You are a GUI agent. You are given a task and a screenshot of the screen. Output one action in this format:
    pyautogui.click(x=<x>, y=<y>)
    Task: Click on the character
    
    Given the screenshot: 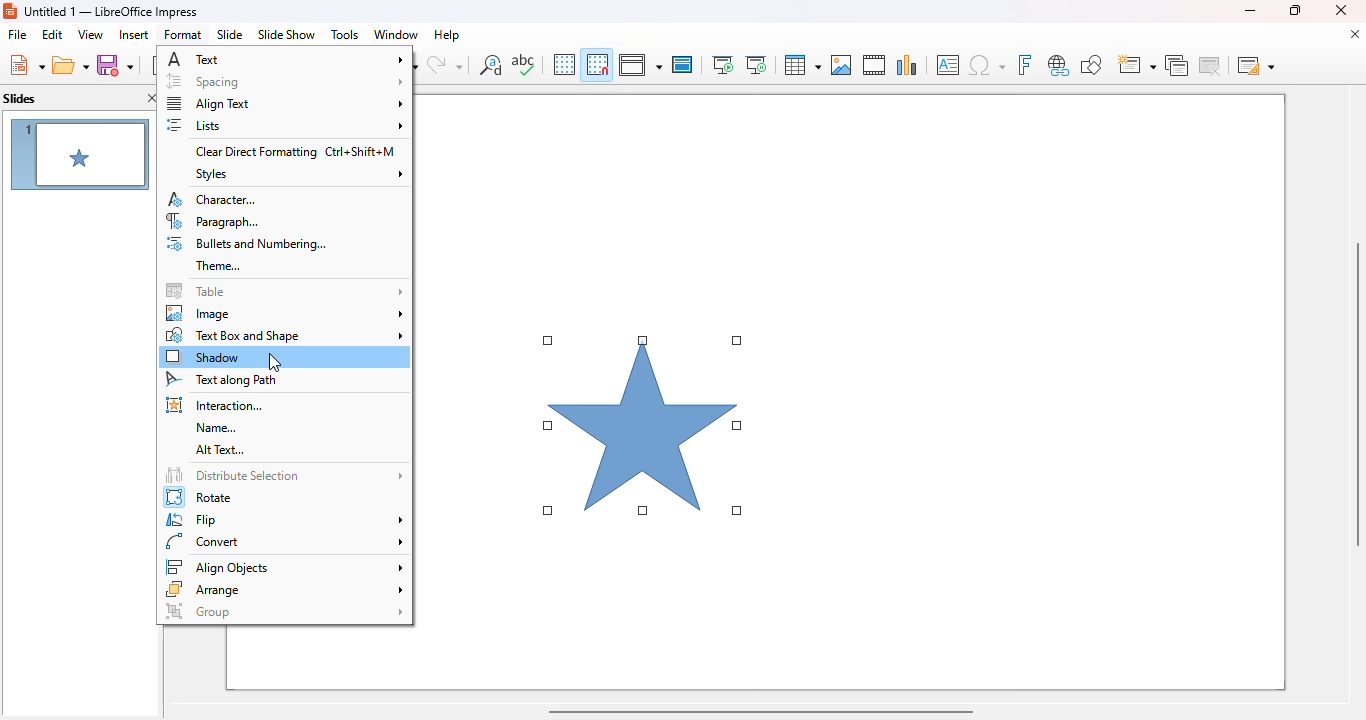 What is the action you would take?
    pyautogui.click(x=213, y=199)
    